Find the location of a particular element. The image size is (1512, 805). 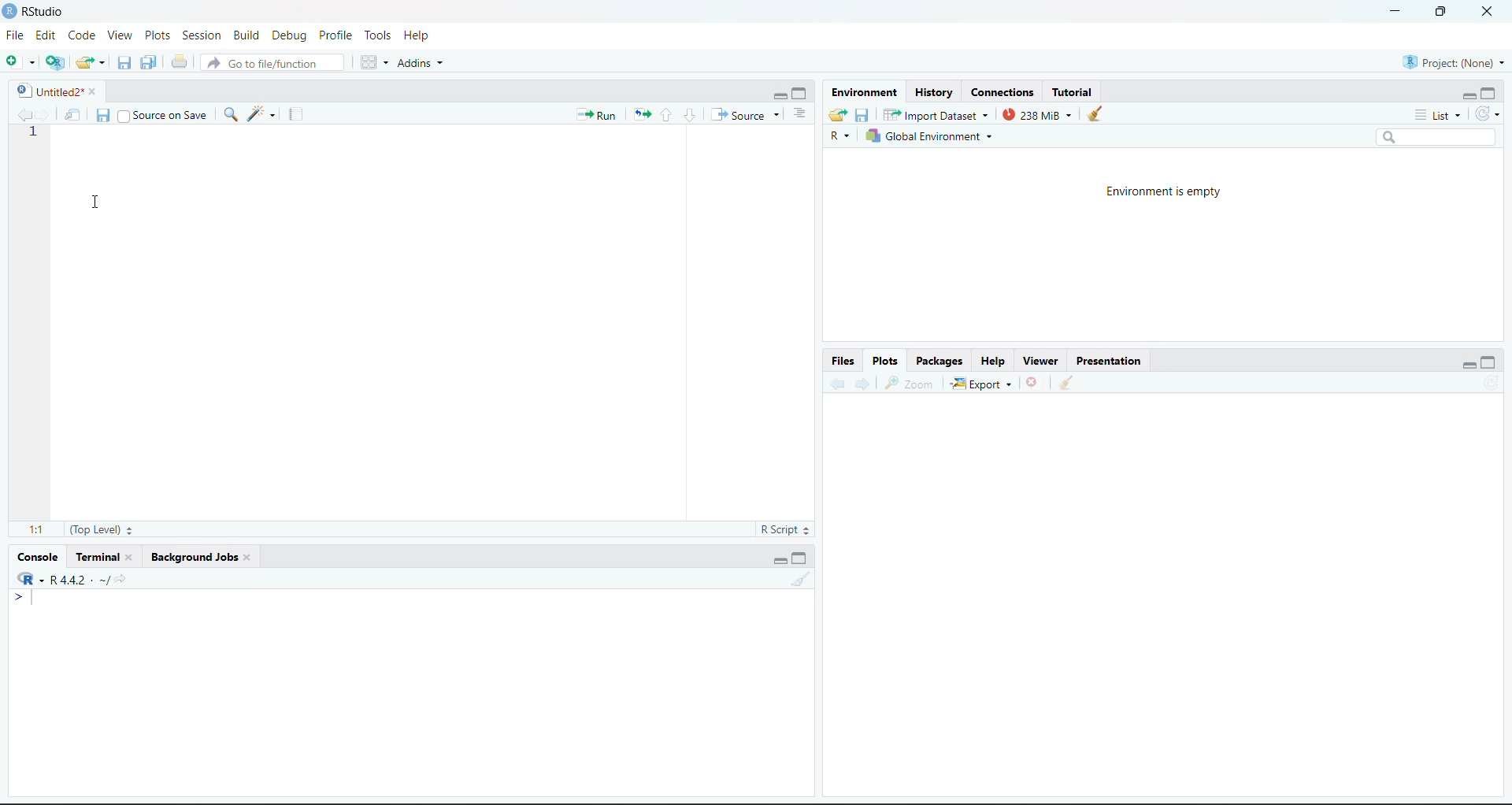

Terminal is located at coordinates (97, 557).